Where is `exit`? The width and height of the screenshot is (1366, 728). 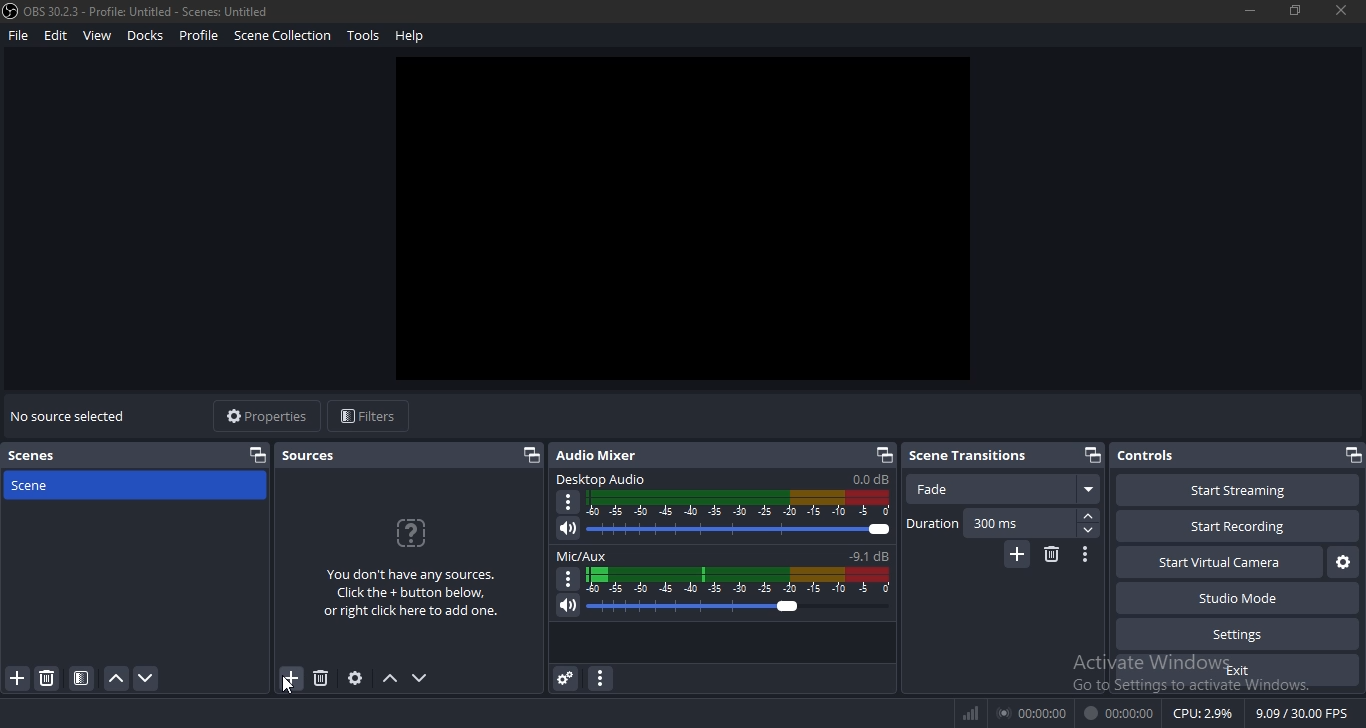 exit is located at coordinates (1222, 670).